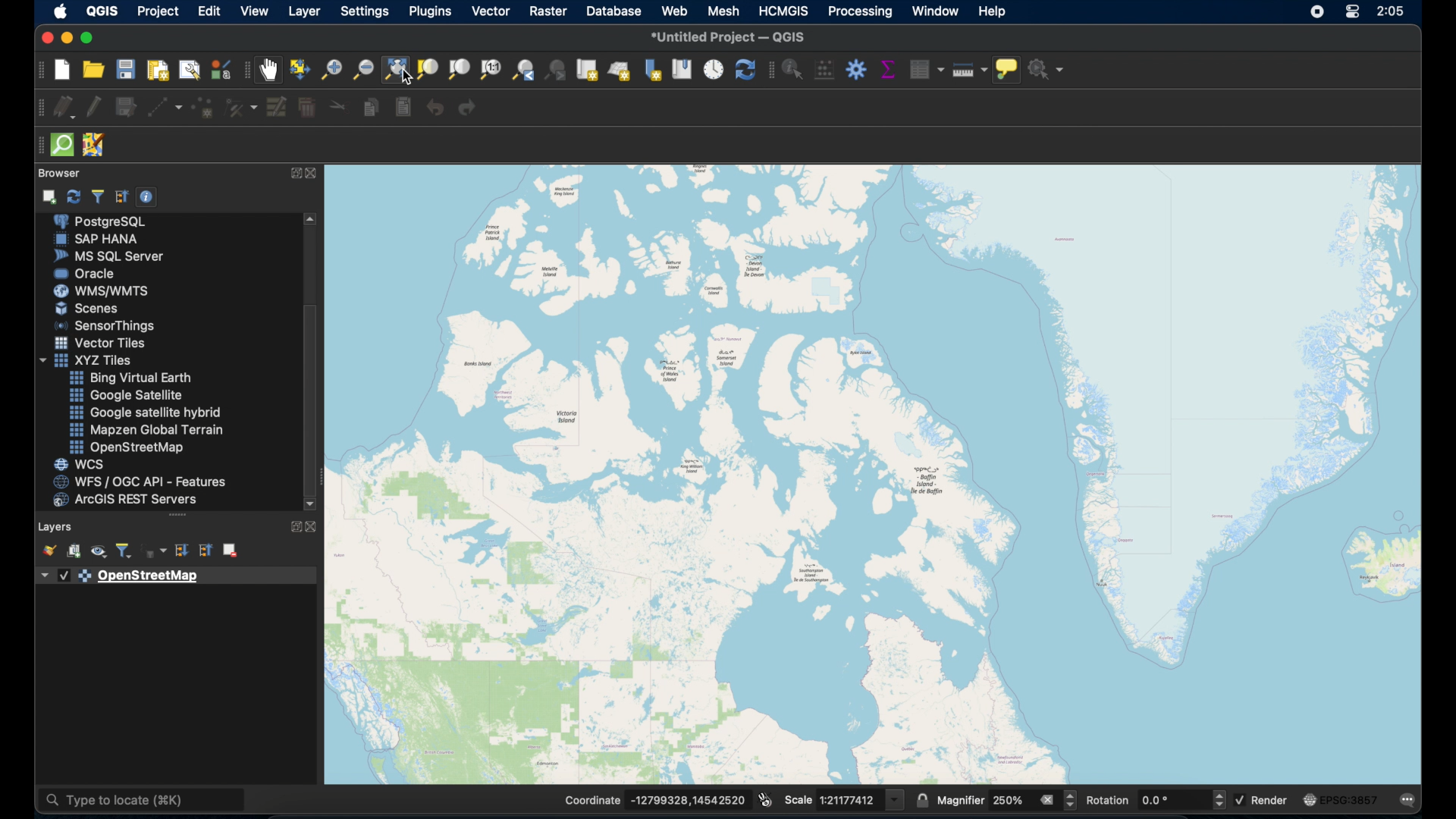  I want to click on maximize, so click(90, 38).